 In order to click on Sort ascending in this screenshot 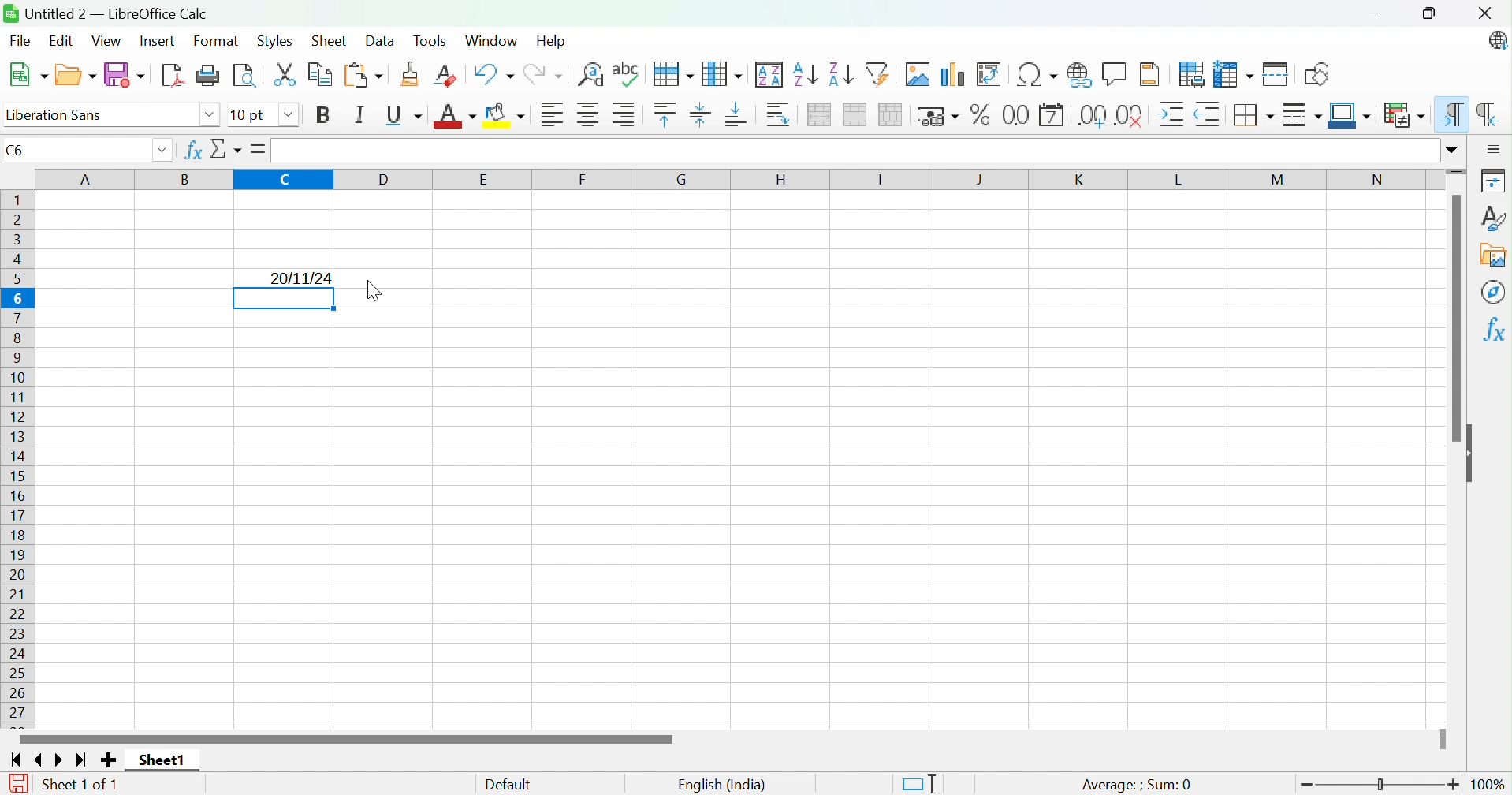, I will do `click(805, 75)`.